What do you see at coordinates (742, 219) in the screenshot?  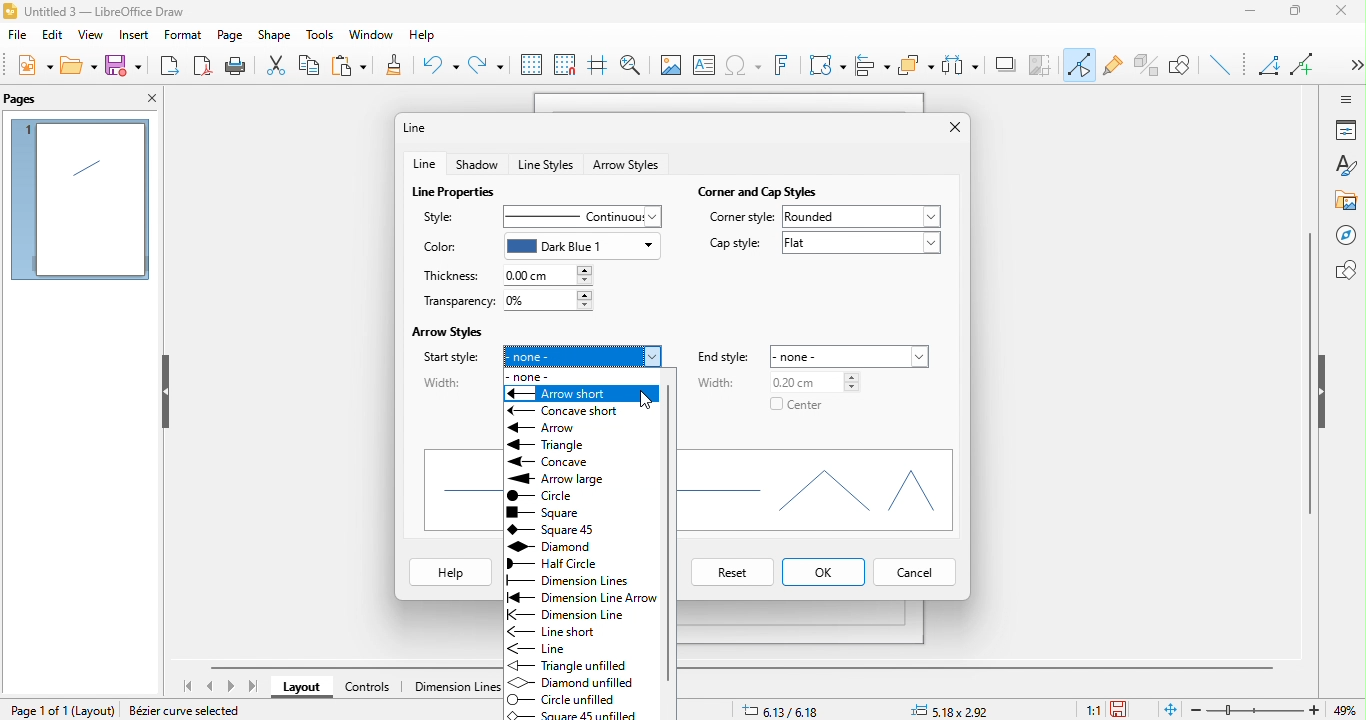 I see `corner style` at bounding box center [742, 219].